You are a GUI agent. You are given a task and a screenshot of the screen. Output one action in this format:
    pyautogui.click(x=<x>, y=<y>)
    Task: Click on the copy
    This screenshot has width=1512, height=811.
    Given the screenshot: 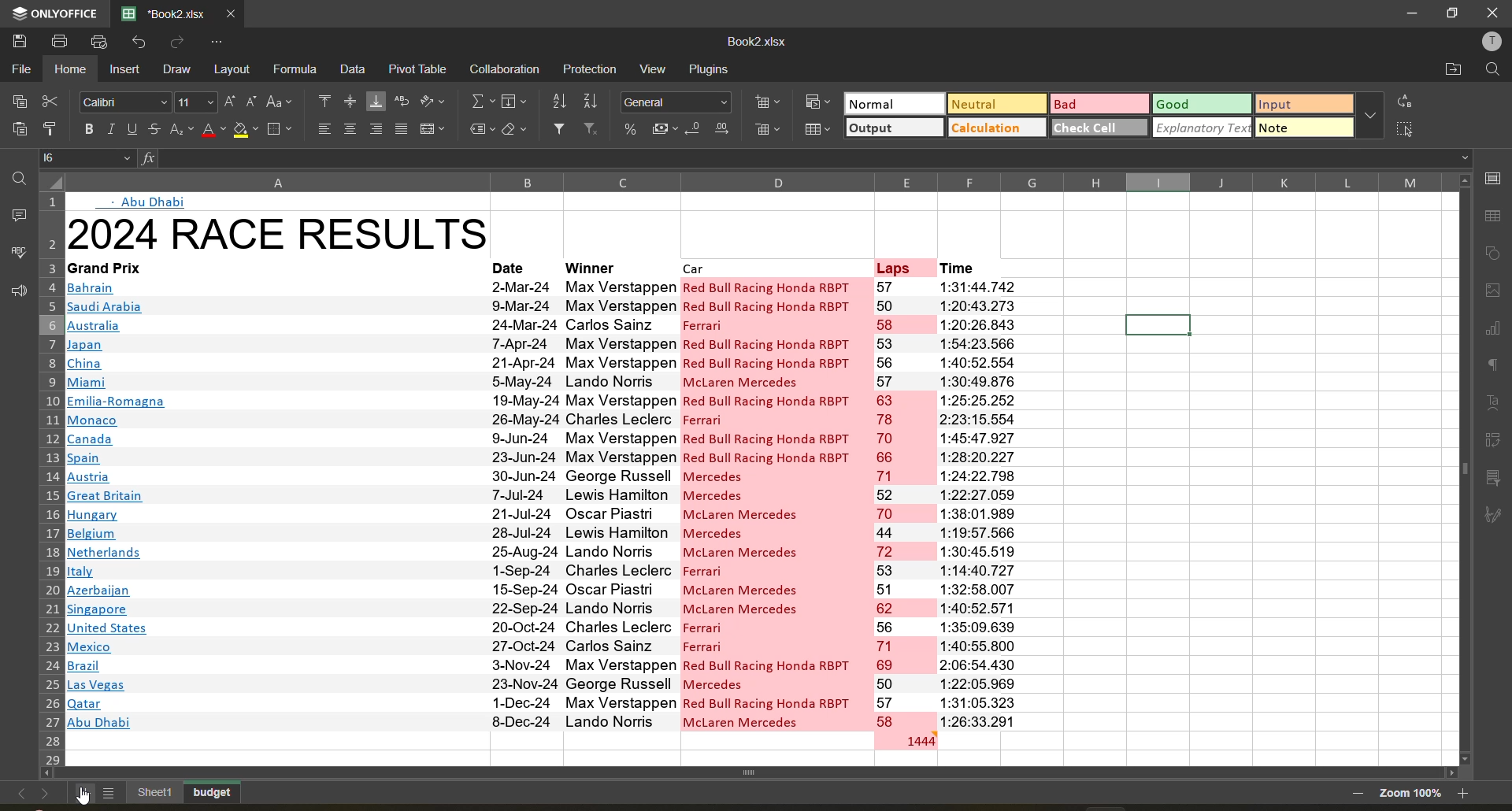 What is the action you would take?
    pyautogui.click(x=17, y=103)
    